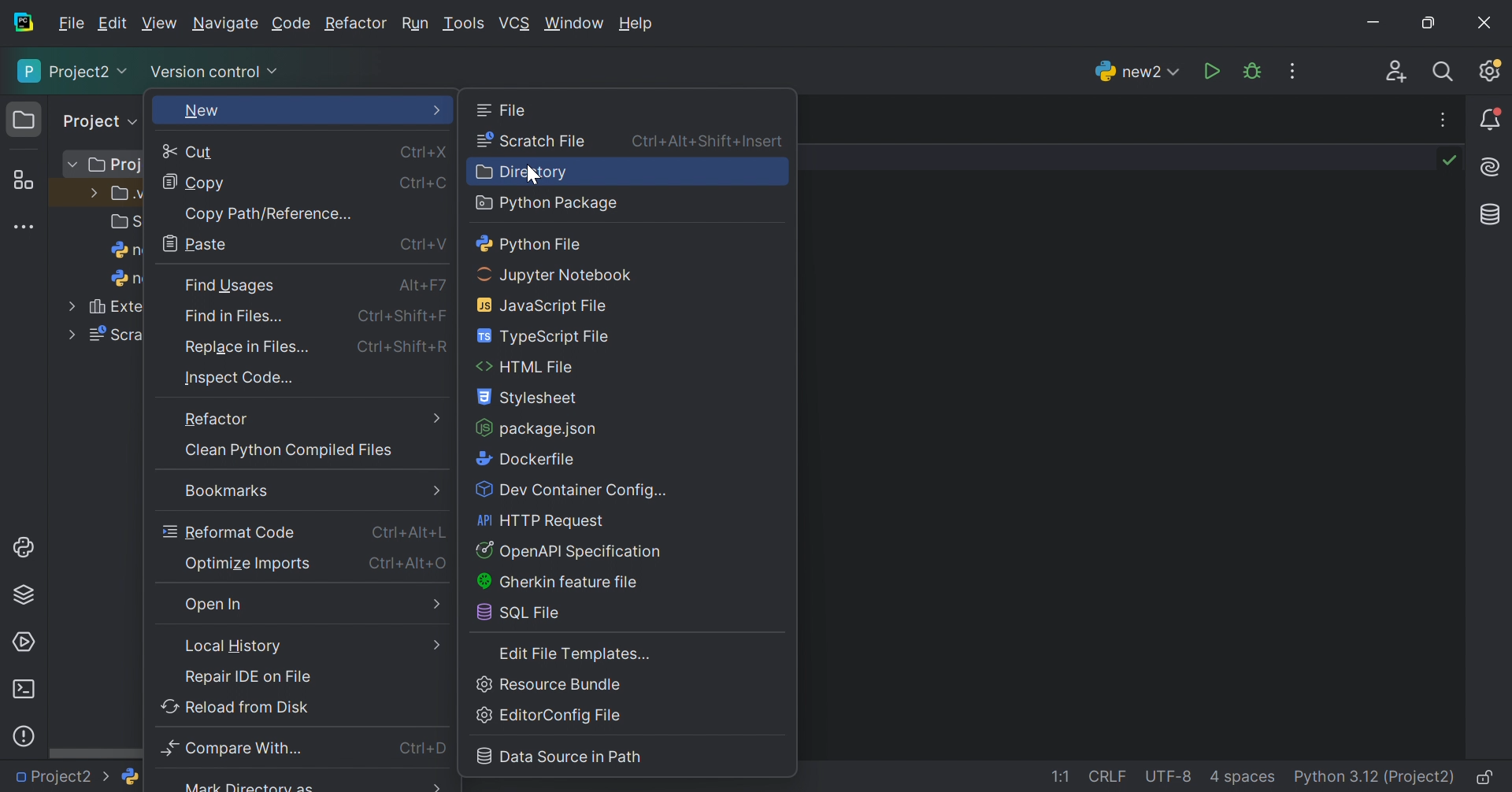 Image resolution: width=1512 pixels, height=792 pixels. Describe the element at coordinates (225, 23) in the screenshot. I see `Navigate` at that location.